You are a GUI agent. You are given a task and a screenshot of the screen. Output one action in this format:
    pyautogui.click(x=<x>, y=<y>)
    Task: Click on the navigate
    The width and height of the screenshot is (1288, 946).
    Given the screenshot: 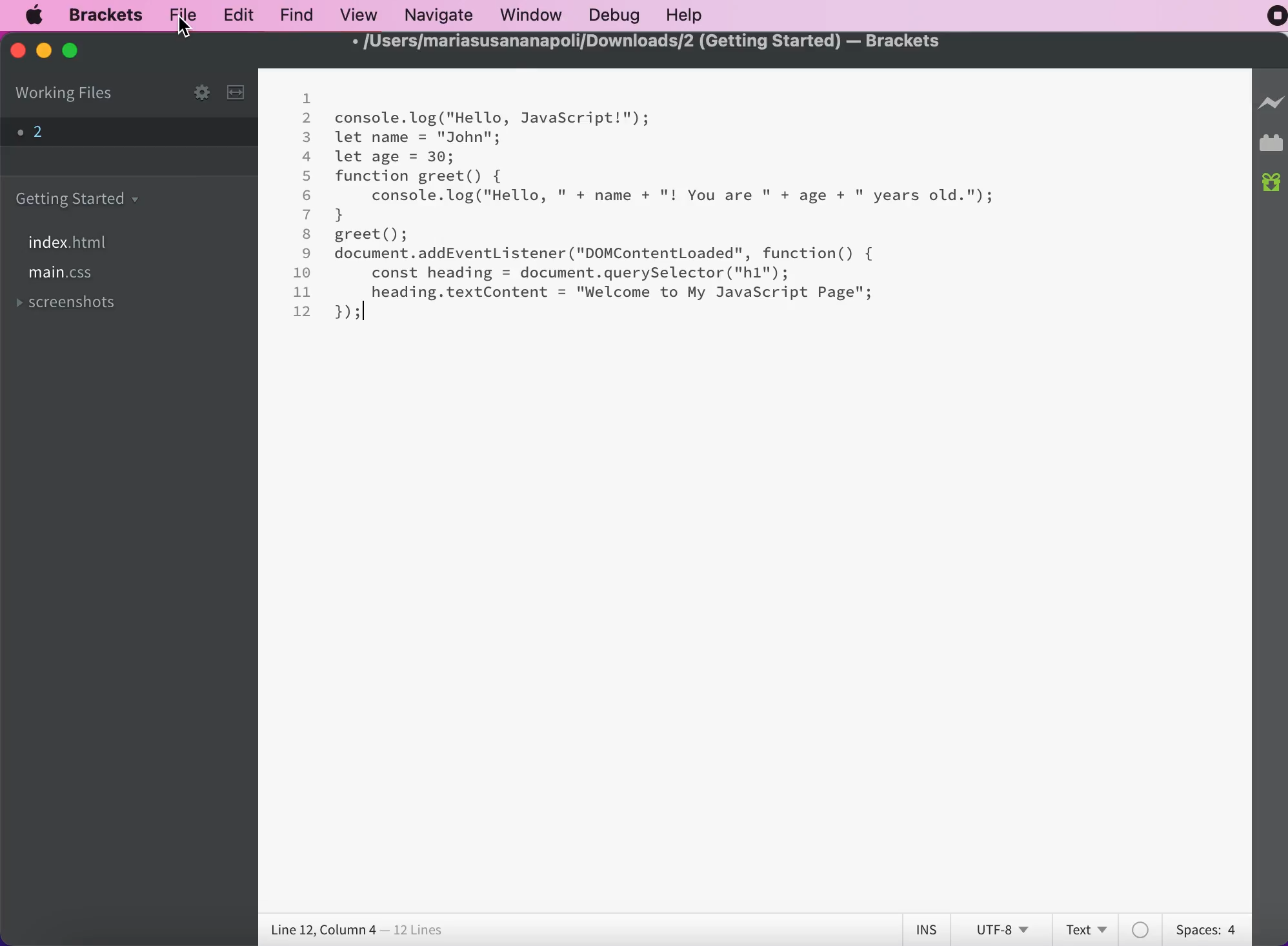 What is the action you would take?
    pyautogui.click(x=438, y=14)
    